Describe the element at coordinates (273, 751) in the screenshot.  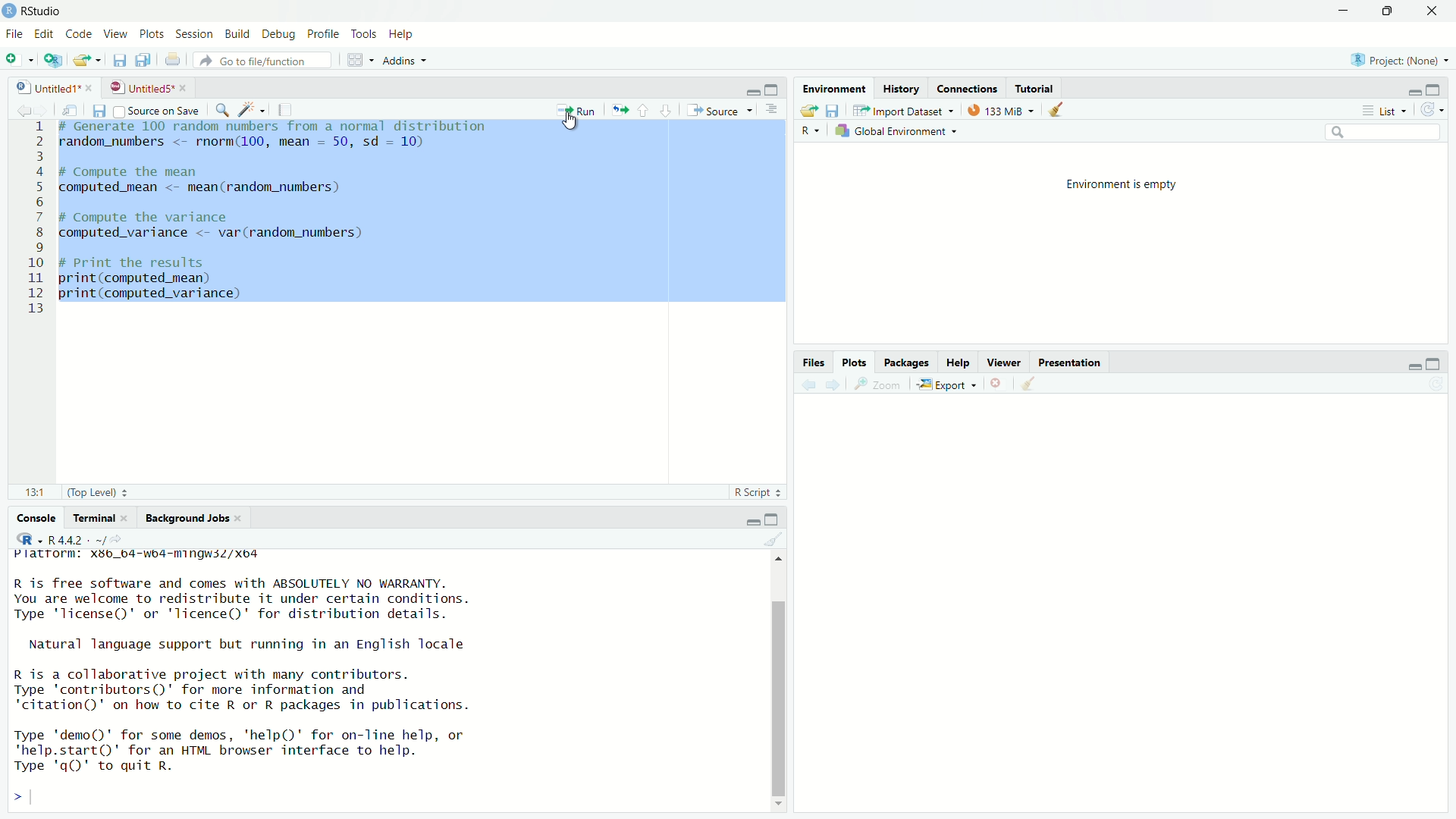
I see `Type 'demo()' for some demos, 'help()' for on-line help, or
*help.start()" for an HTML browser interface to help.
Type 'gQ)' to quit R.` at that location.